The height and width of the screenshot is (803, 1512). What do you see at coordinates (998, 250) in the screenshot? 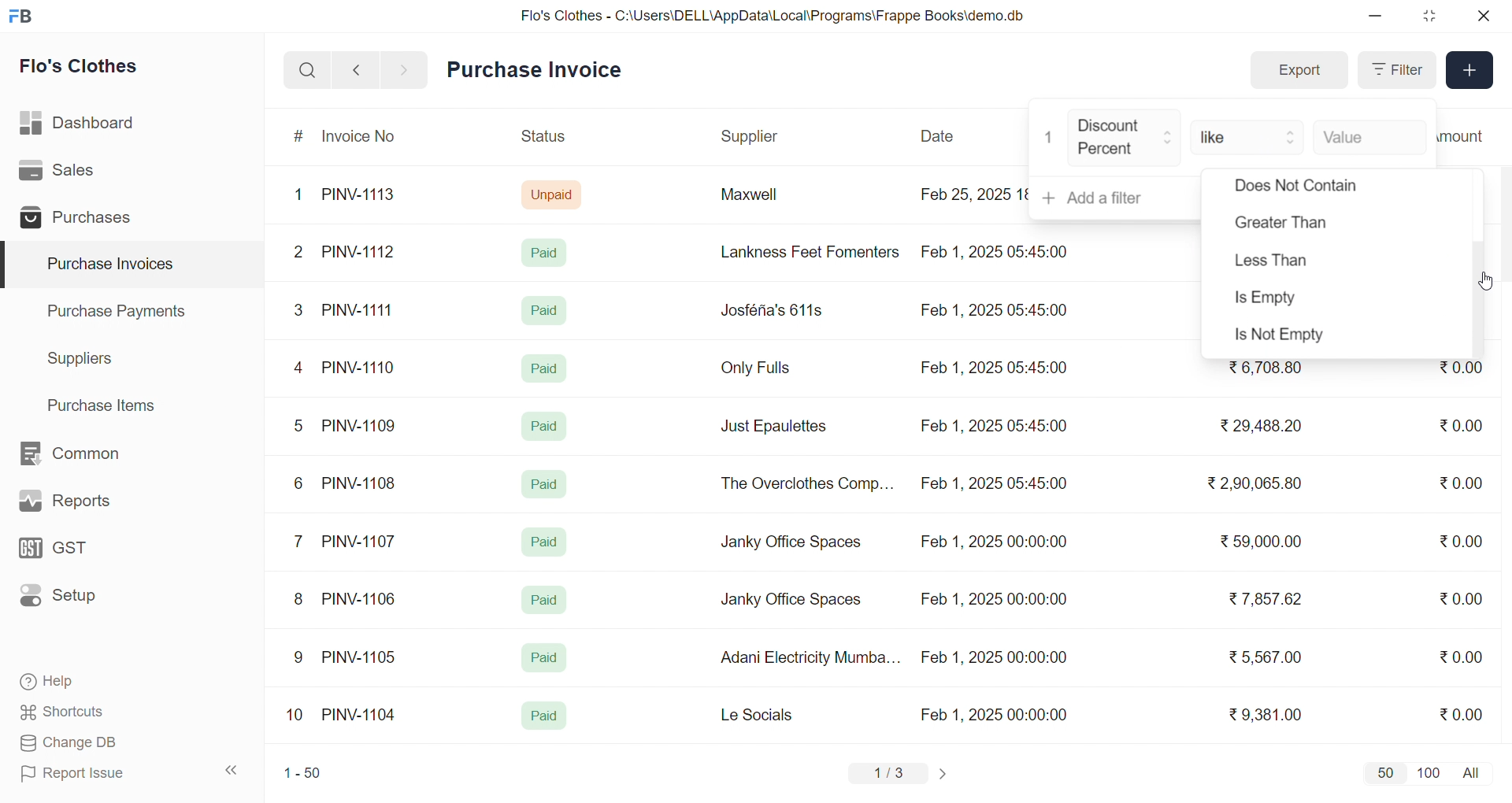
I see `Feb 1, 2025 05:45:00` at bounding box center [998, 250].